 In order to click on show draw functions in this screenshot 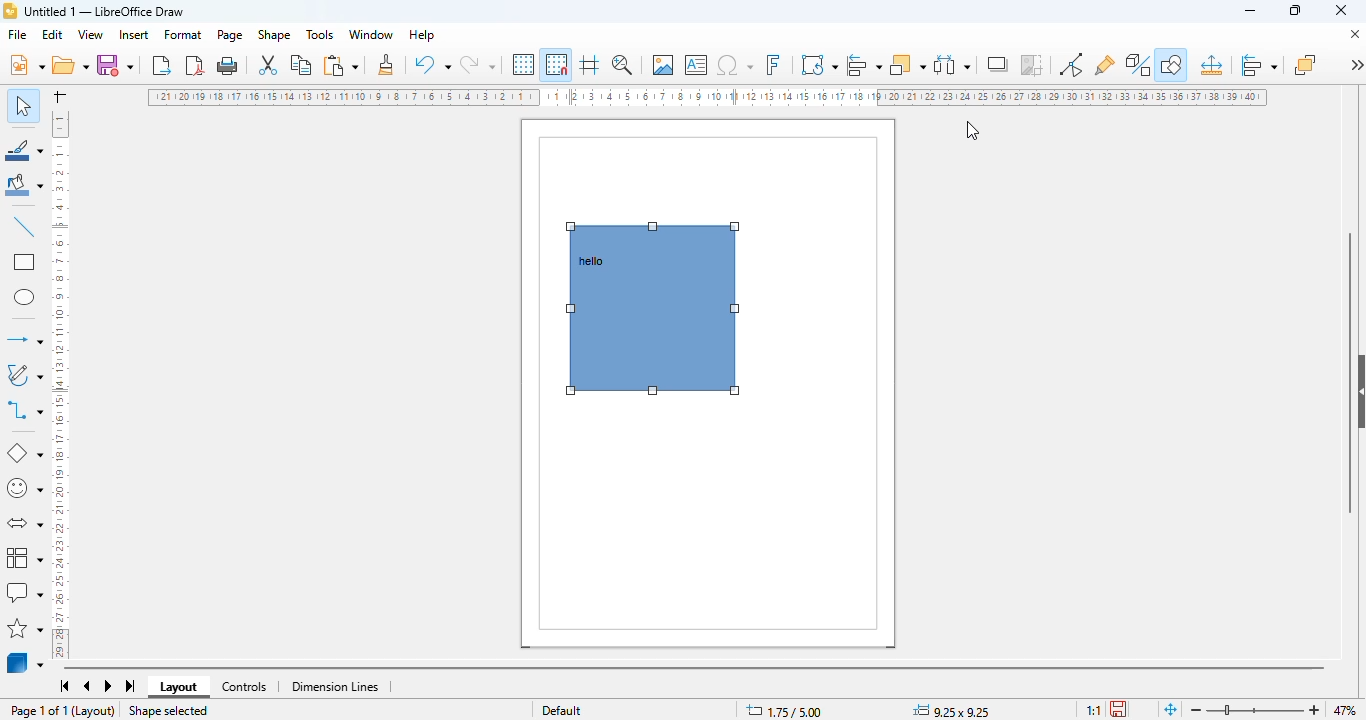, I will do `click(1171, 65)`.